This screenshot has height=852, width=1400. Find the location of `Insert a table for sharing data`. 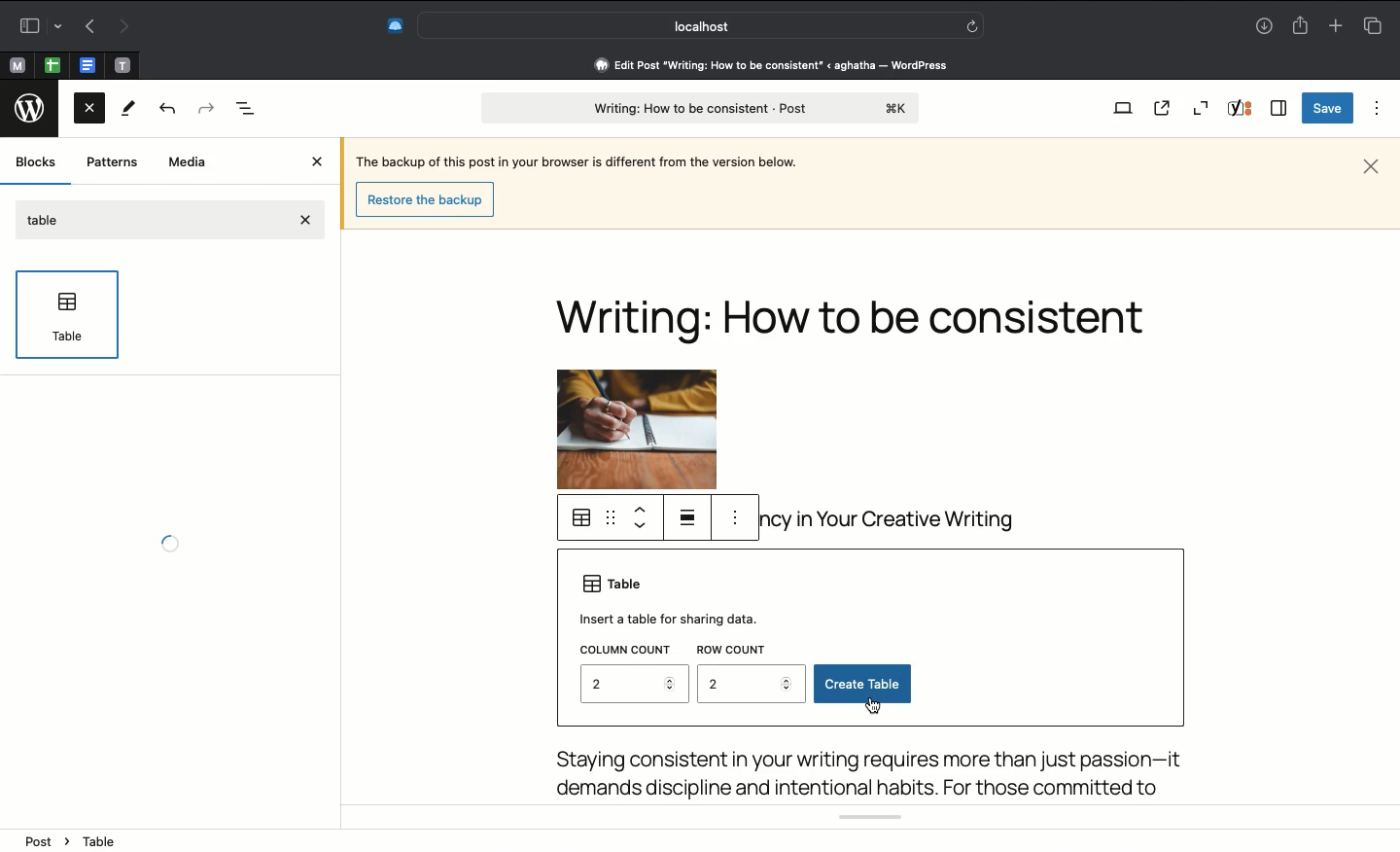

Insert a table for sharing data is located at coordinates (668, 620).